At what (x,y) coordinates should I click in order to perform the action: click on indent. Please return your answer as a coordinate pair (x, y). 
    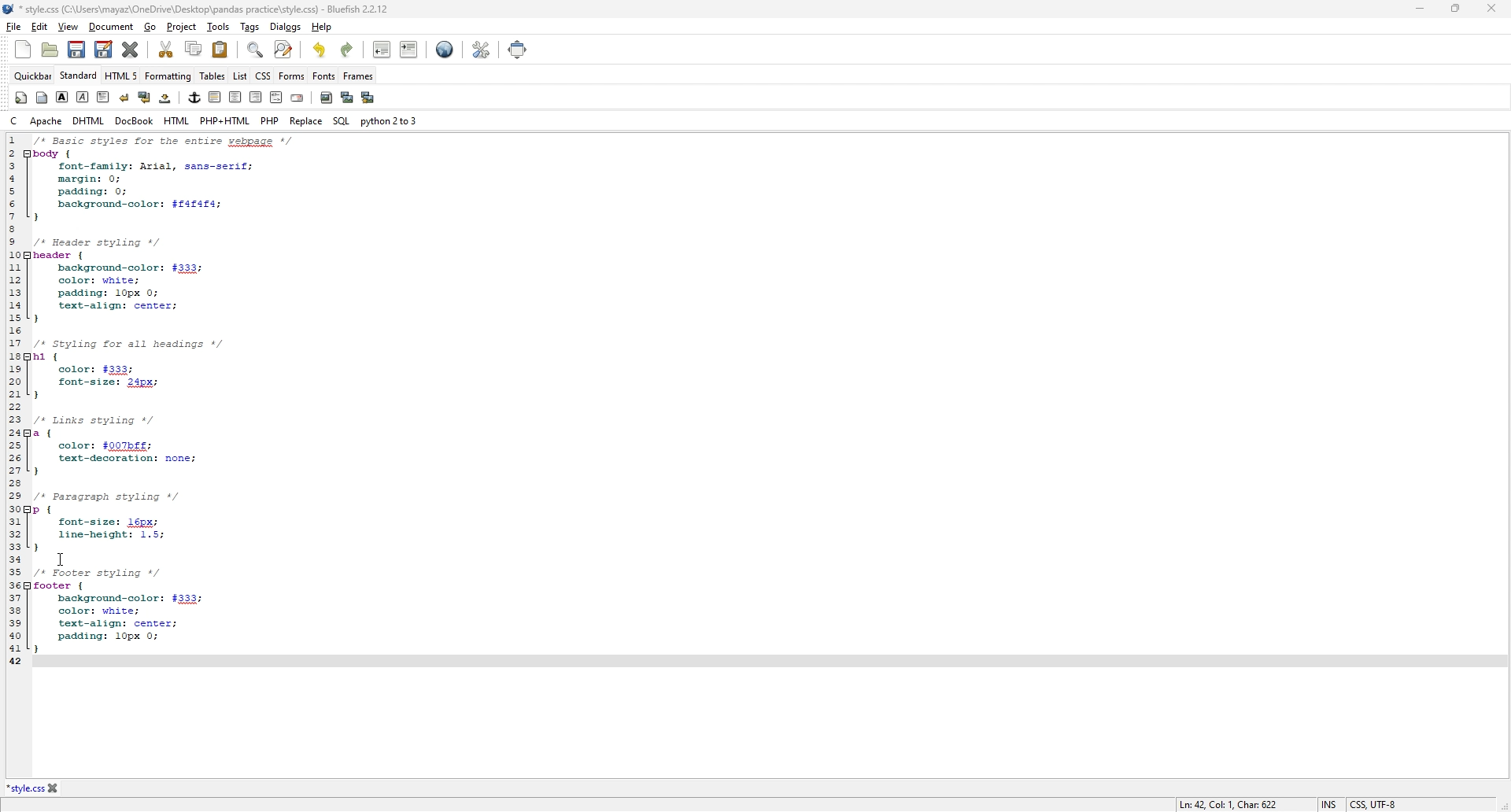
    Looking at the image, I should click on (409, 50).